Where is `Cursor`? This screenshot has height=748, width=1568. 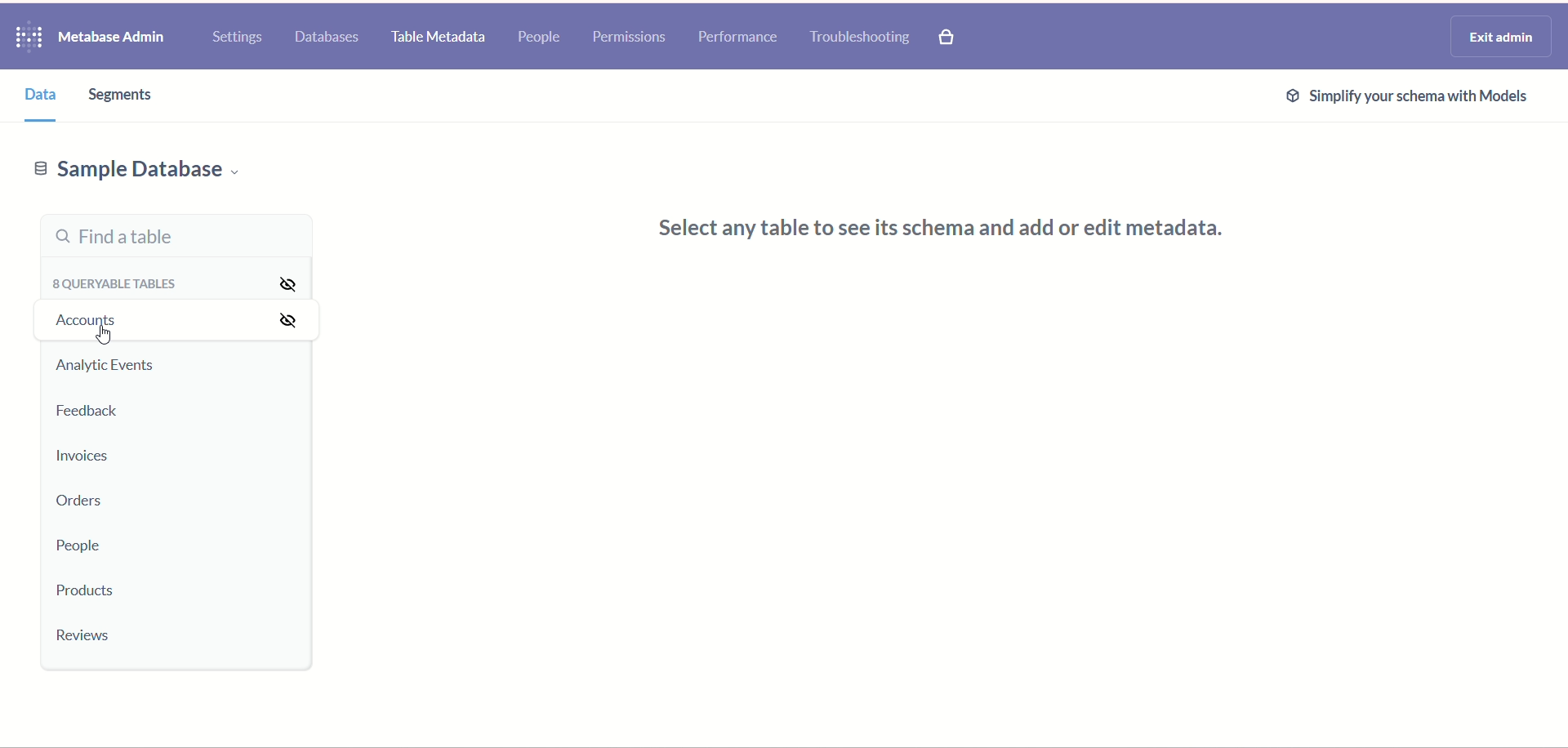 Cursor is located at coordinates (104, 336).